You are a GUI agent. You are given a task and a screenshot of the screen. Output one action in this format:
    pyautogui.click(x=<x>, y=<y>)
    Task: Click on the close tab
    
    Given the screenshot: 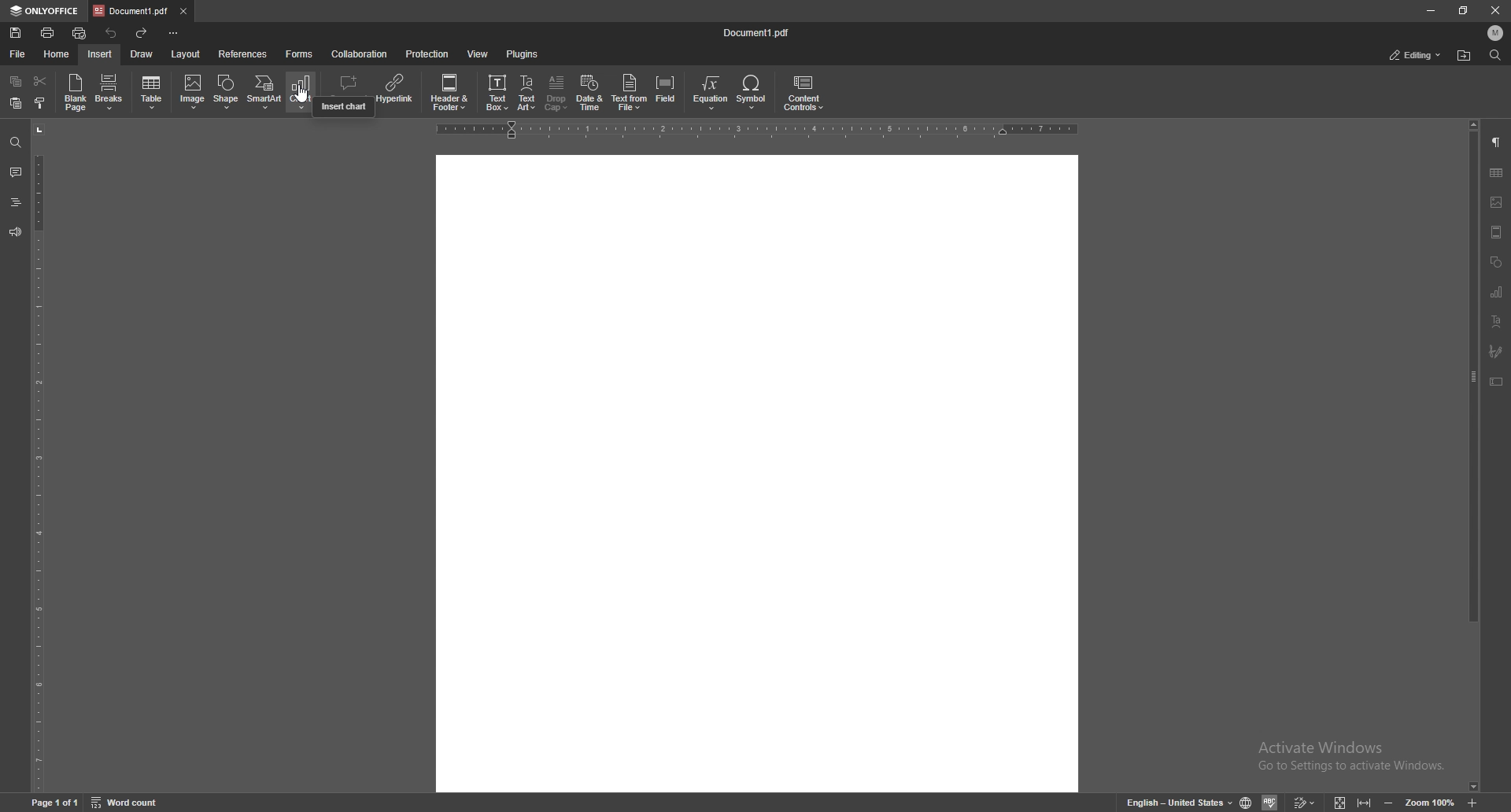 What is the action you would take?
    pyautogui.click(x=184, y=11)
    